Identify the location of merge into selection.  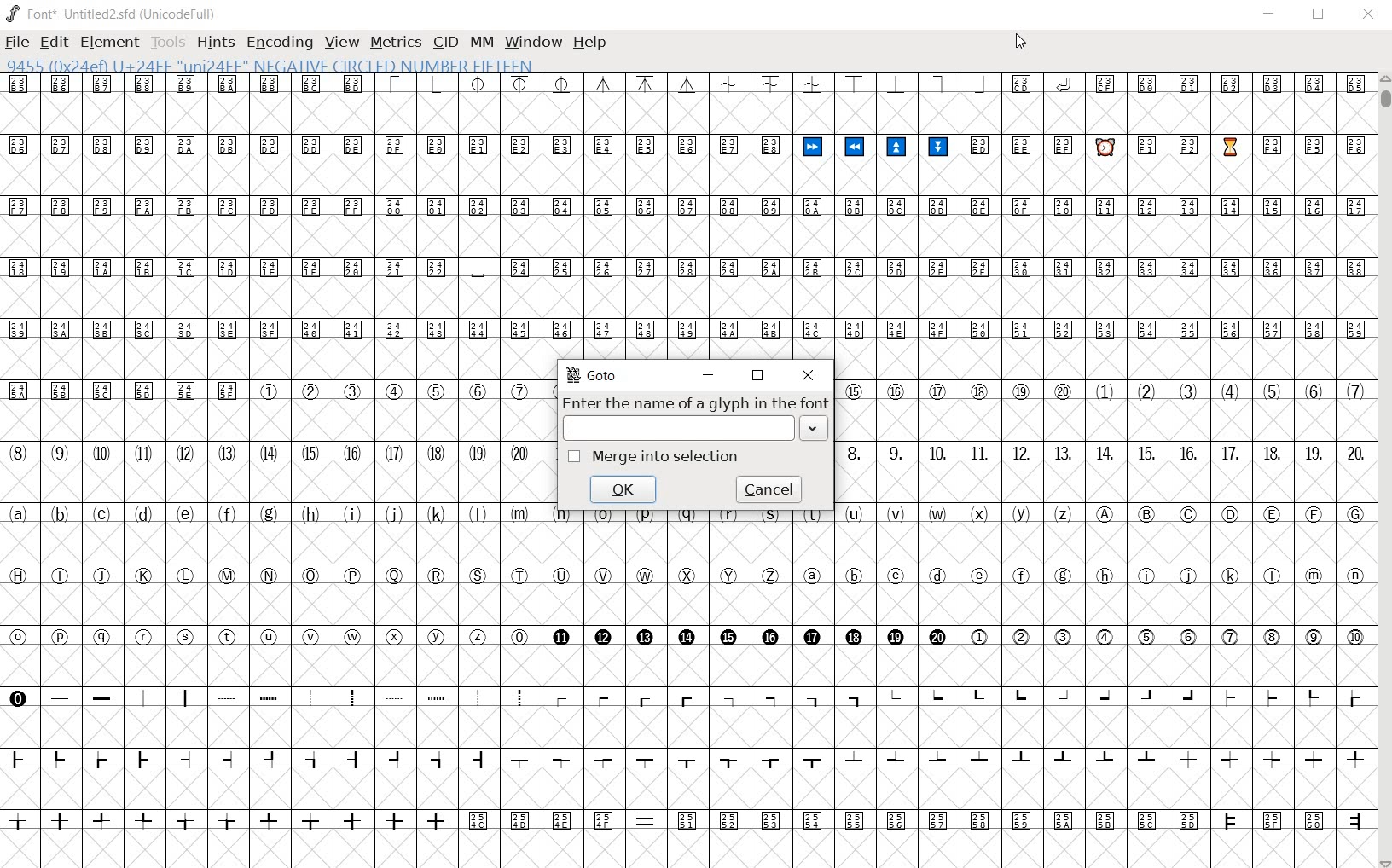
(658, 457).